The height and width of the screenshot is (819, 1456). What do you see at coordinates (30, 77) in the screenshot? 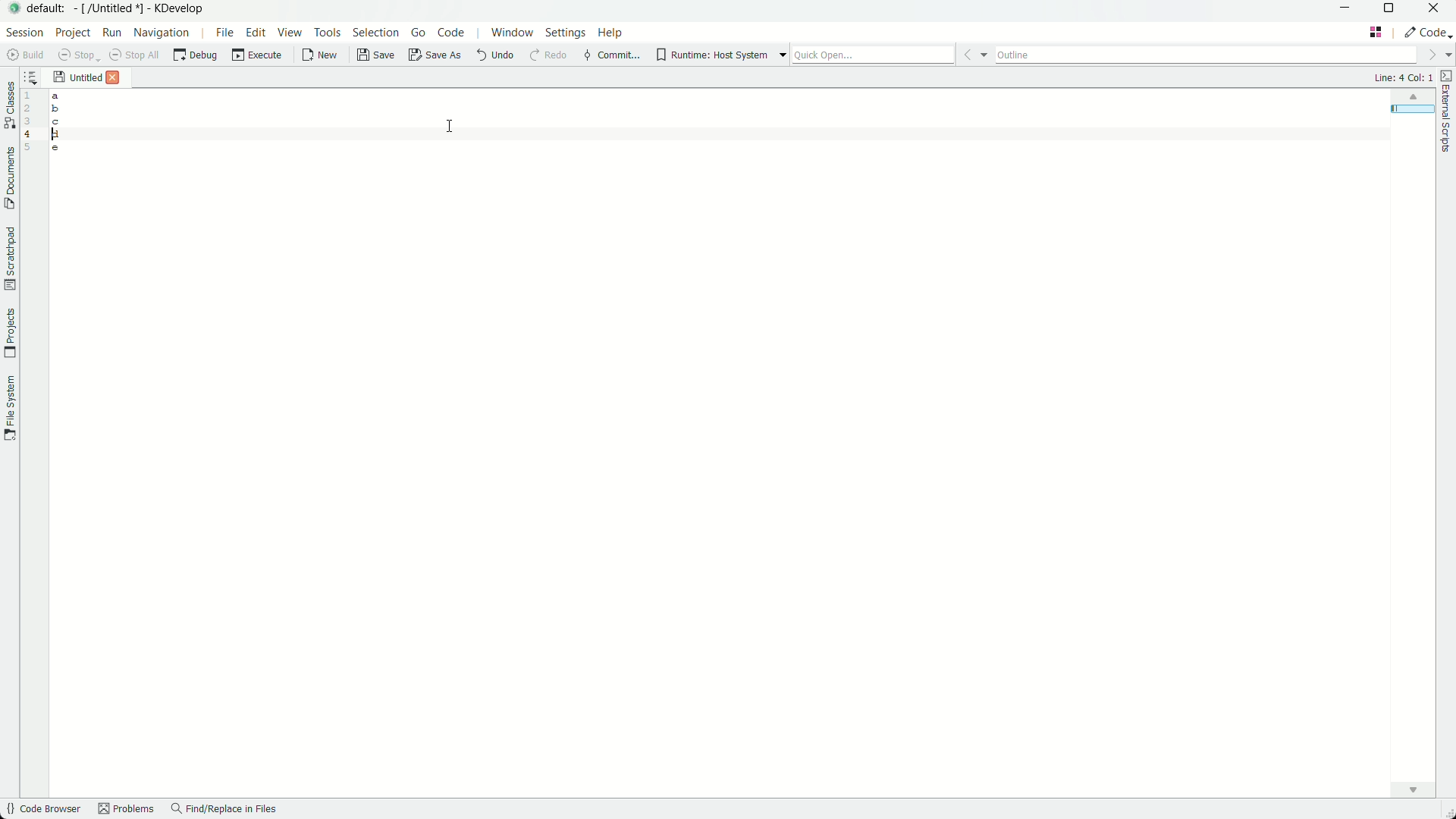
I see `sort the opened documents` at bounding box center [30, 77].